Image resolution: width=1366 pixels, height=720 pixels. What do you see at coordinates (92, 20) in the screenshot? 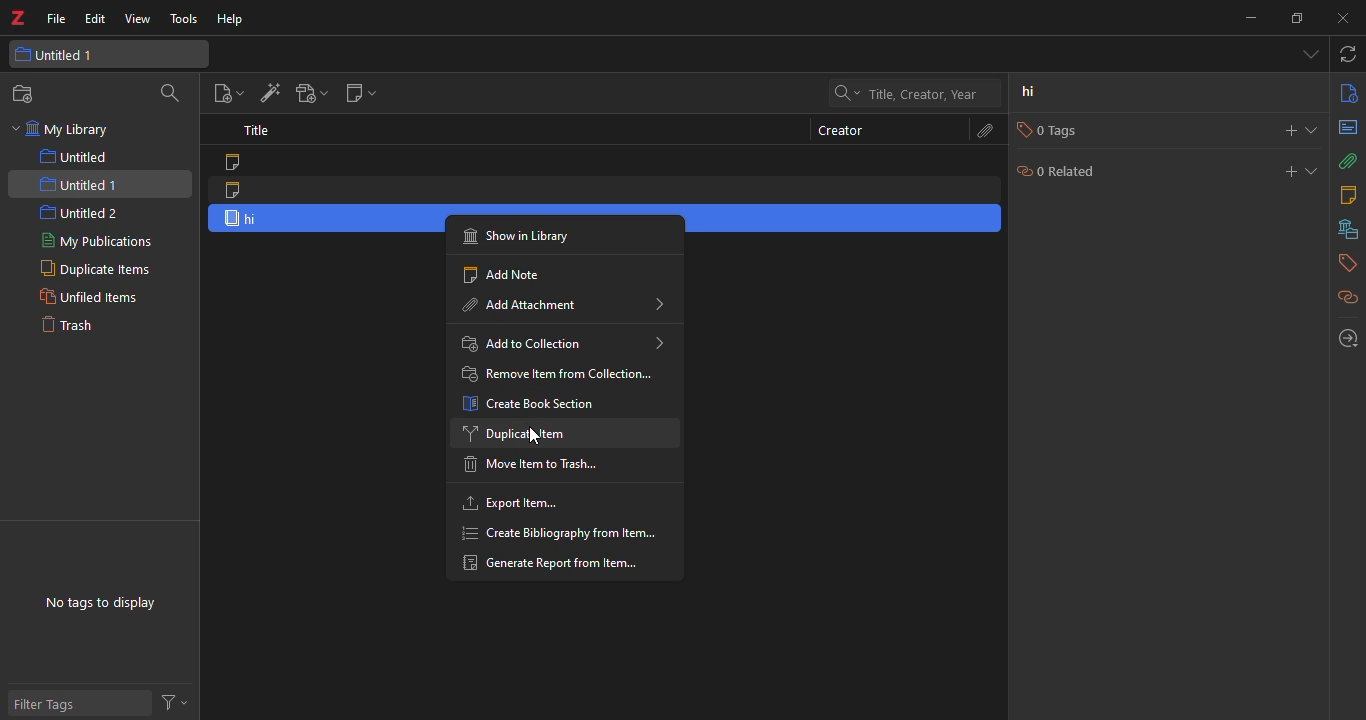
I see `edit` at bounding box center [92, 20].